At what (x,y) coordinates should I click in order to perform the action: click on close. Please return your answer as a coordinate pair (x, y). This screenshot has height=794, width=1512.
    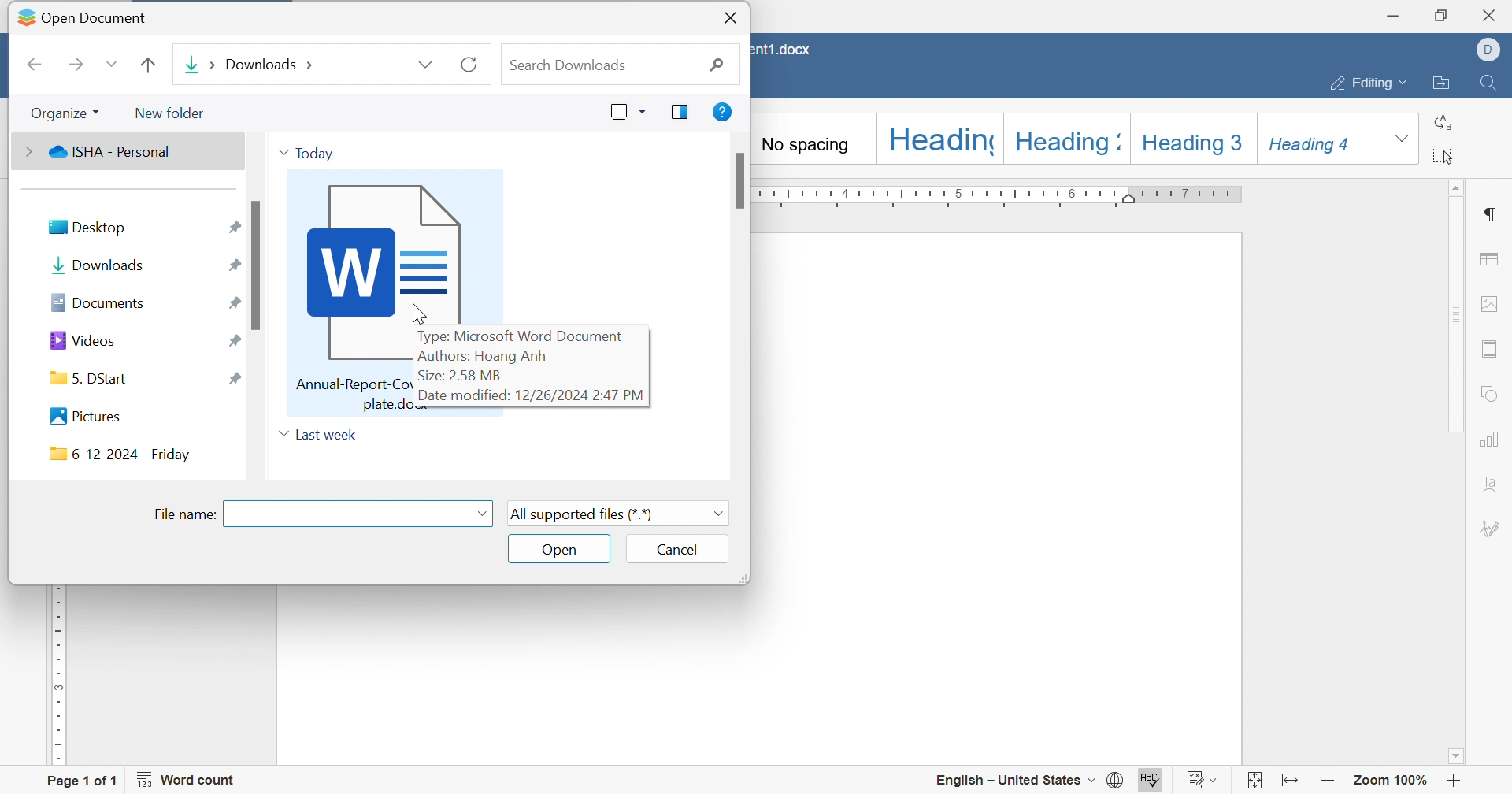
    Looking at the image, I should click on (1492, 17).